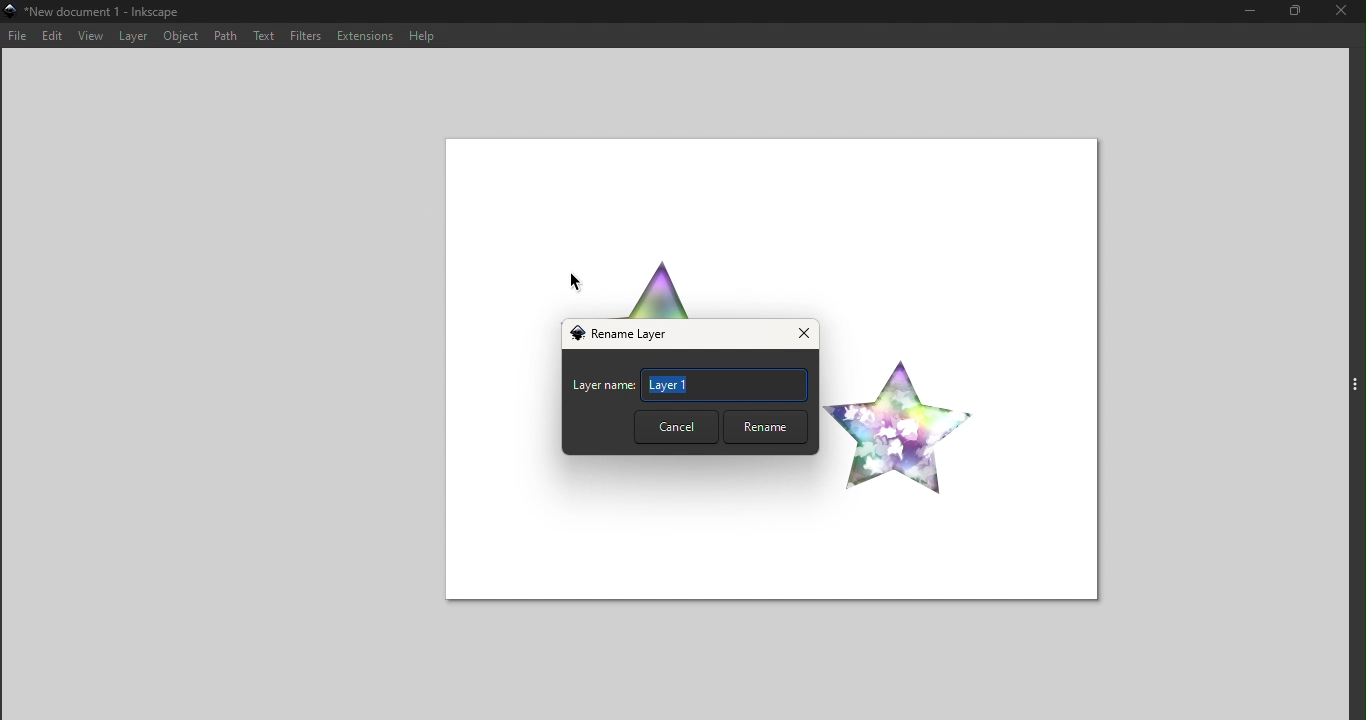 This screenshot has width=1366, height=720. I want to click on path, so click(225, 34).